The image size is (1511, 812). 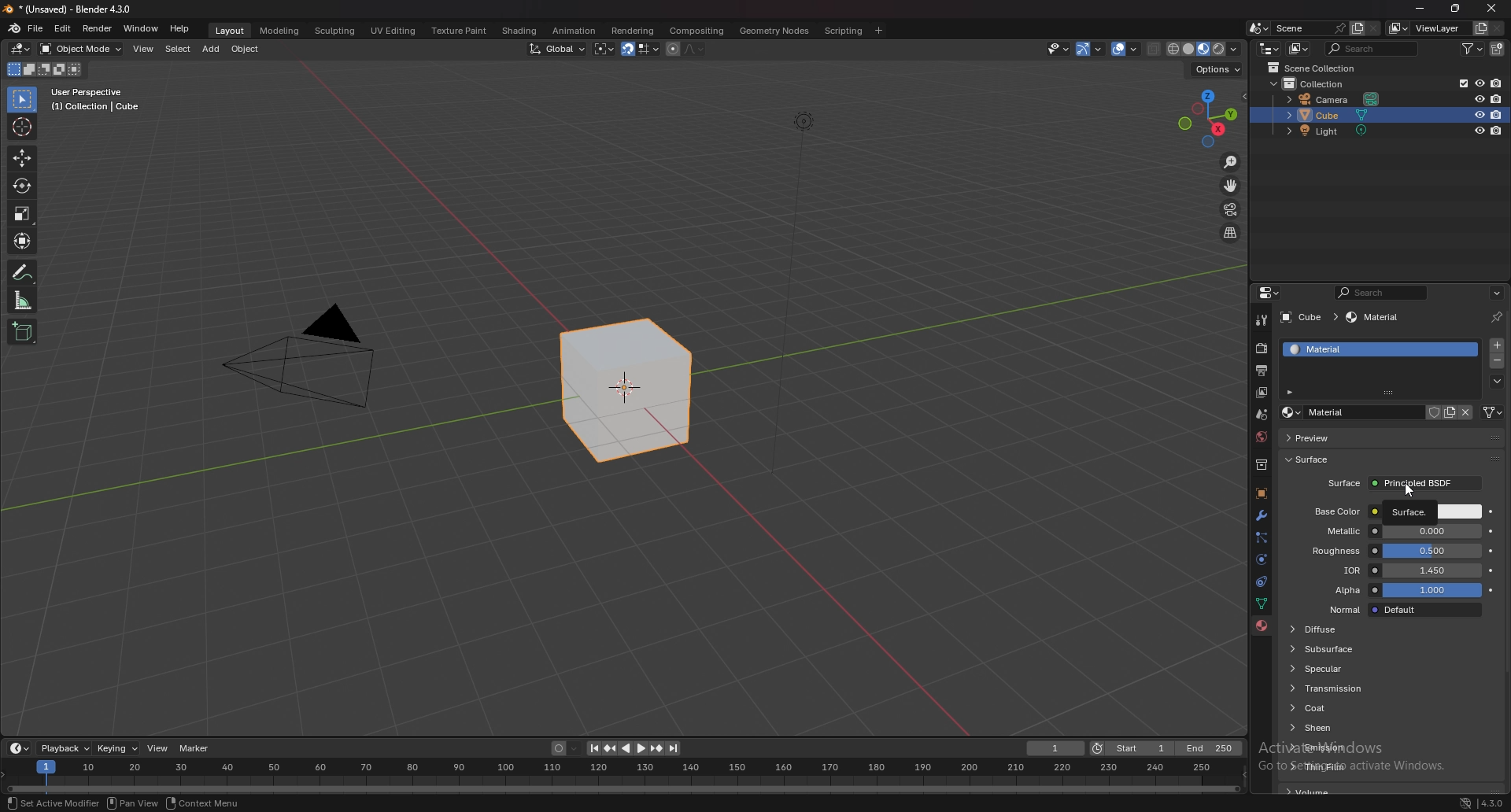 What do you see at coordinates (1307, 28) in the screenshot?
I see `scene` at bounding box center [1307, 28].